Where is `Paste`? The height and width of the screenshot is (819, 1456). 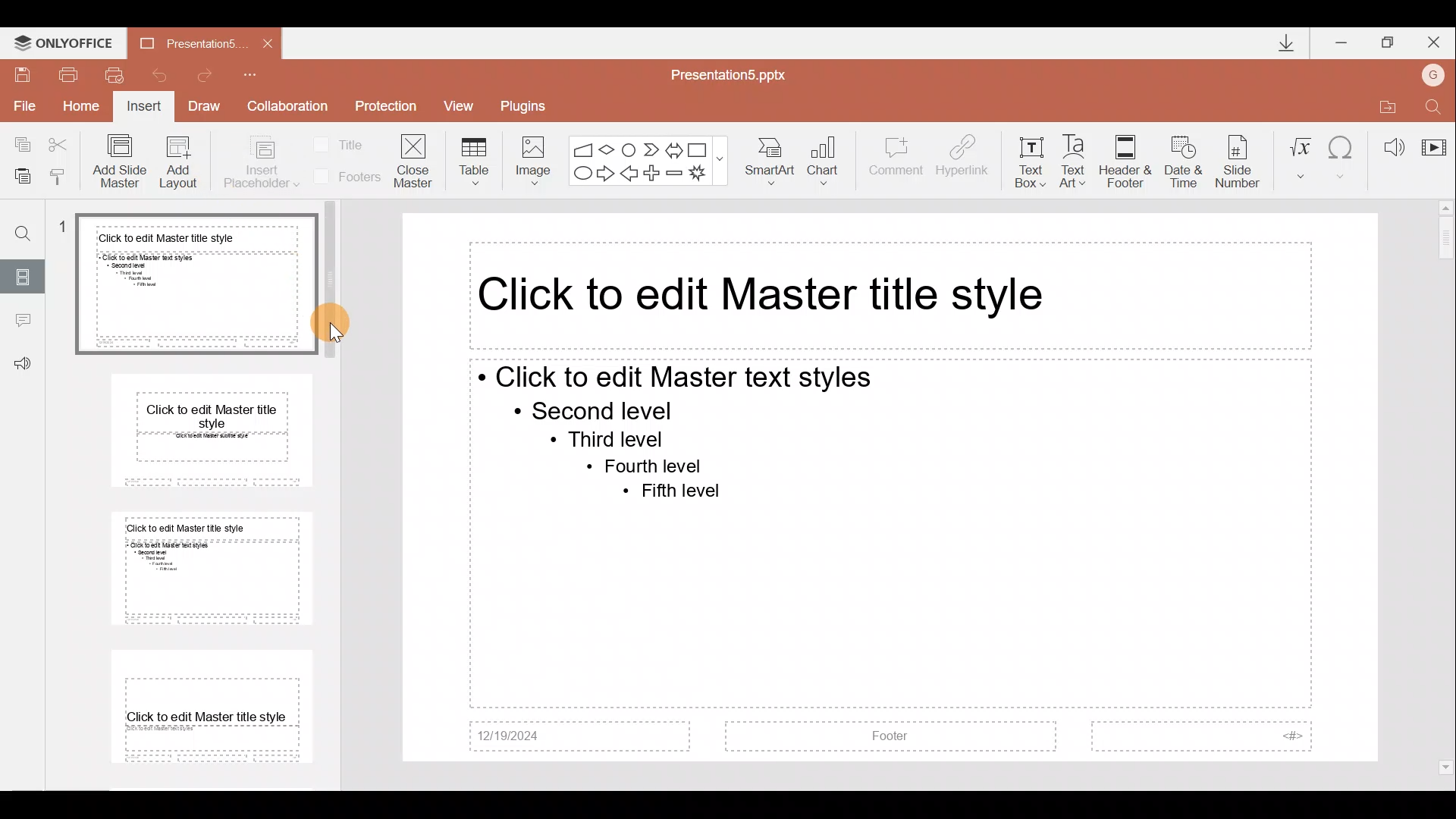 Paste is located at coordinates (22, 178).